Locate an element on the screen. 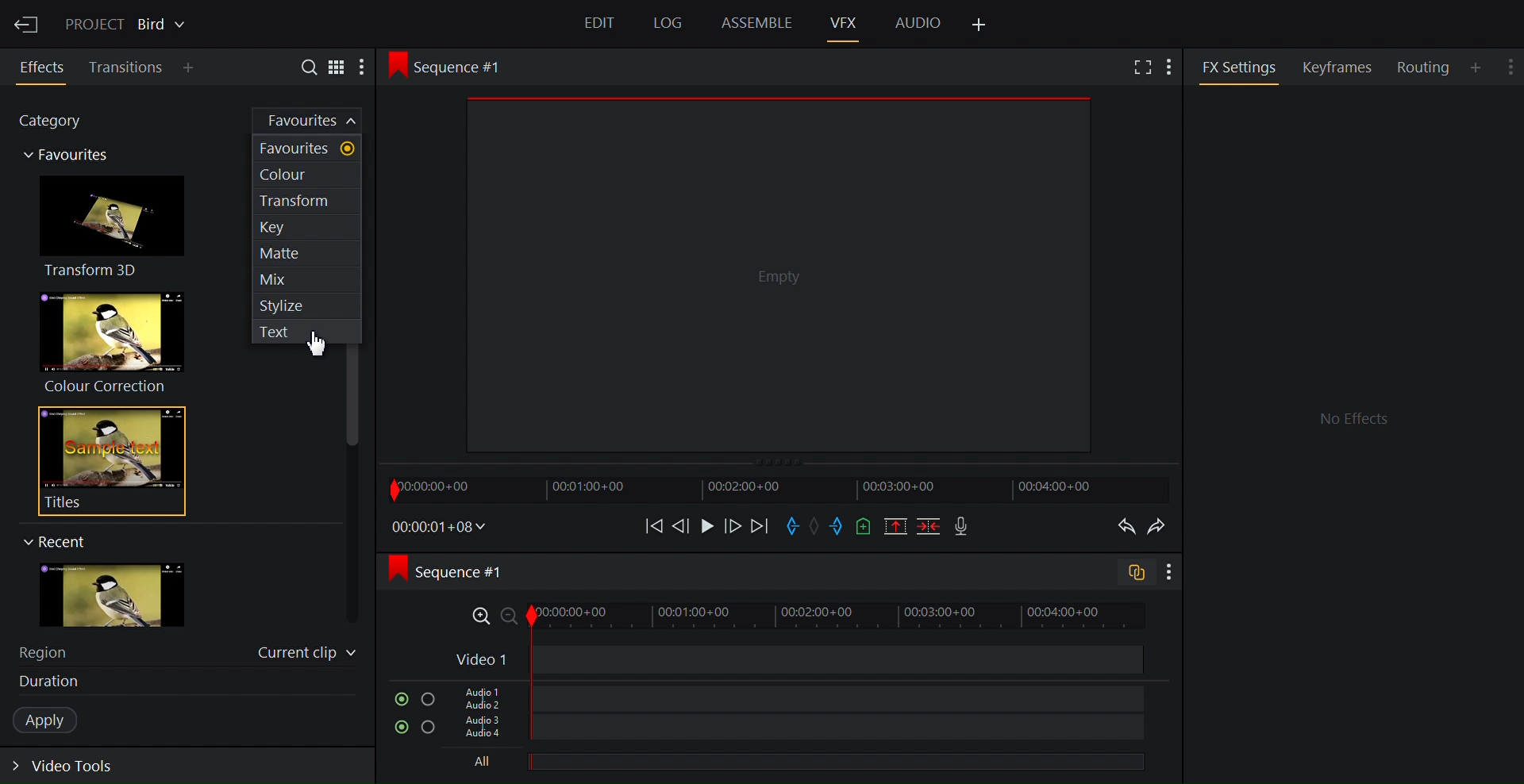 Image resolution: width=1524 pixels, height=784 pixels. Toggle between list and tile view is located at coordinates (337, 66).